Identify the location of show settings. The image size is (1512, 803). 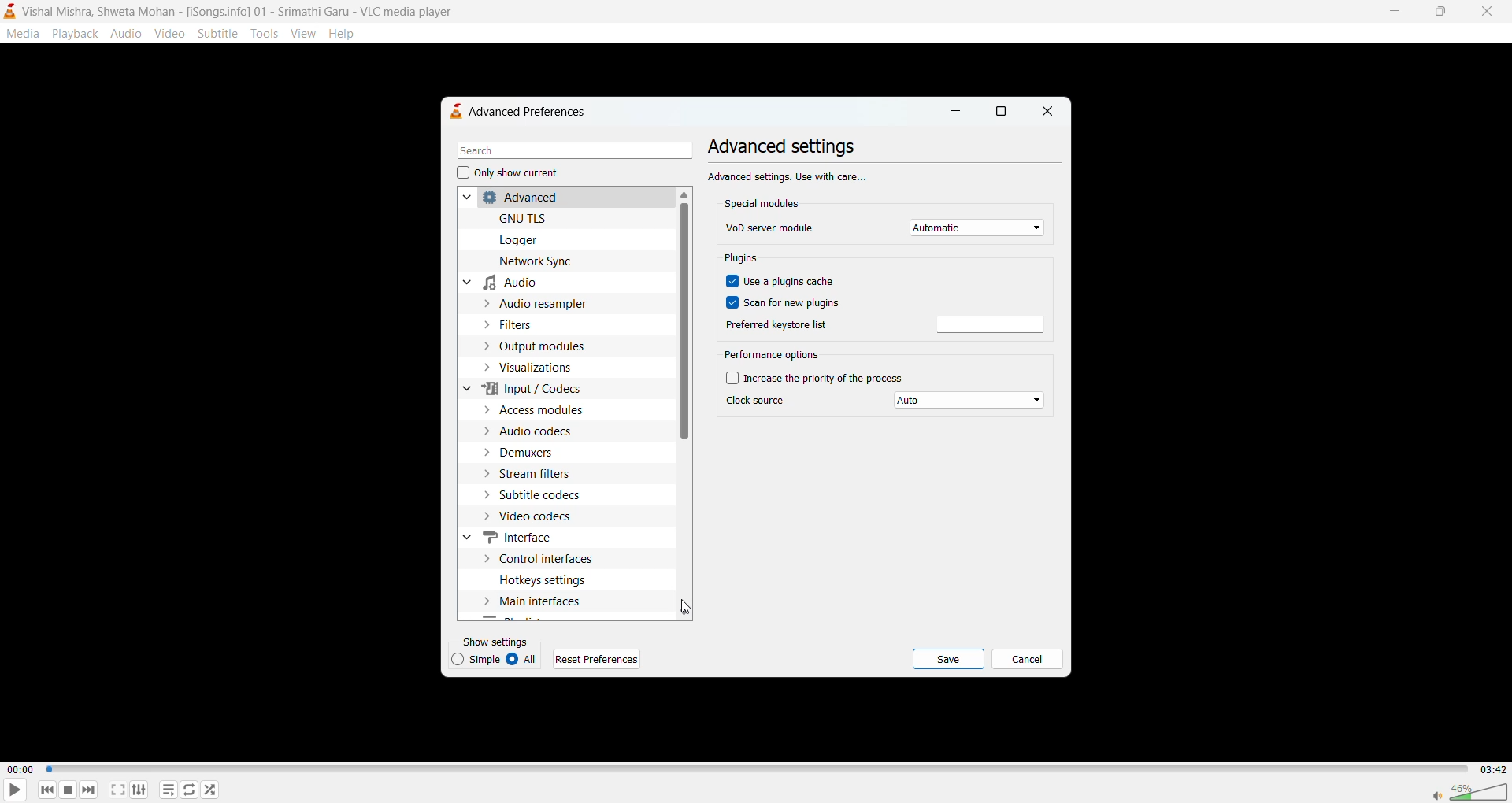
(498, 641).